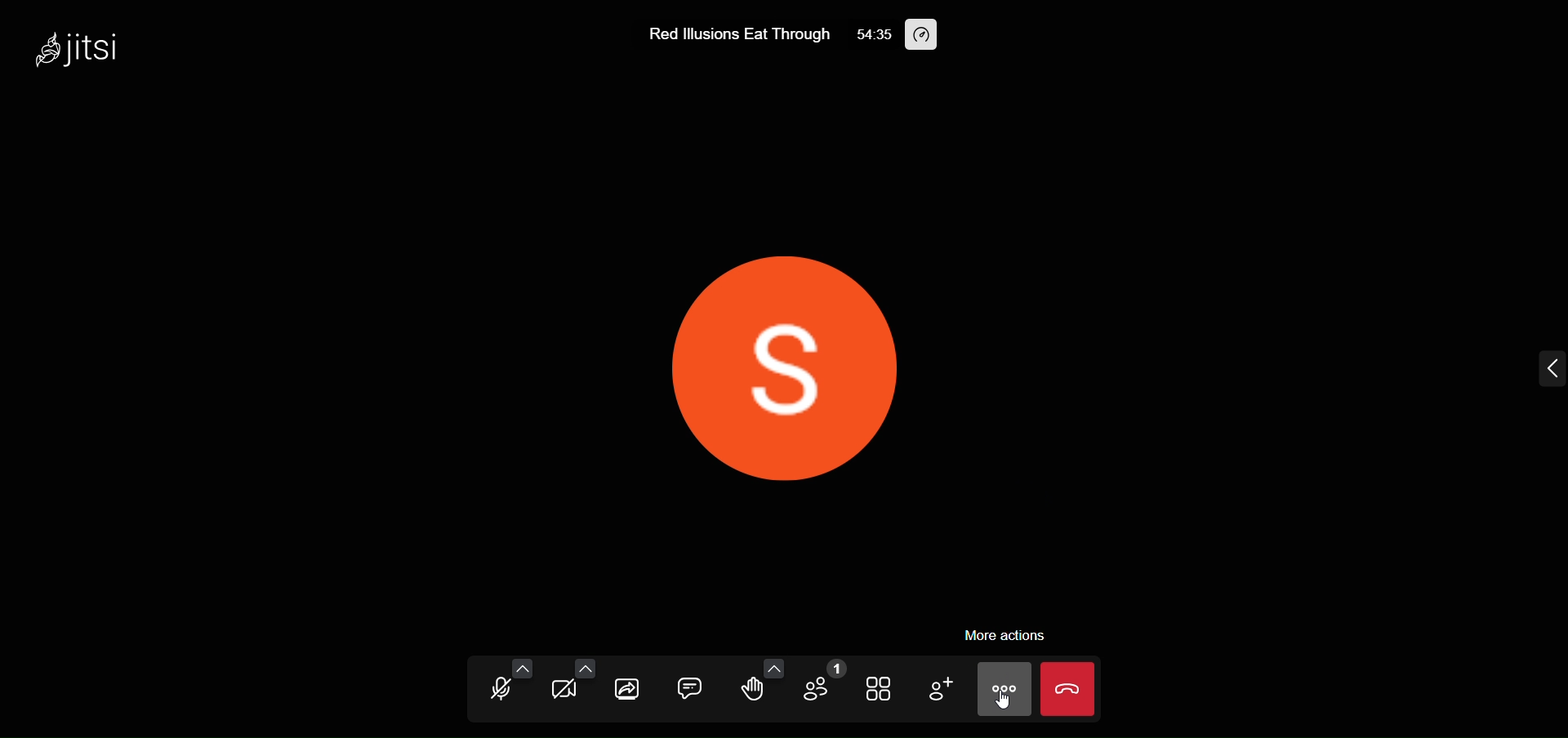  I want to click on performance, so click(924, 34).